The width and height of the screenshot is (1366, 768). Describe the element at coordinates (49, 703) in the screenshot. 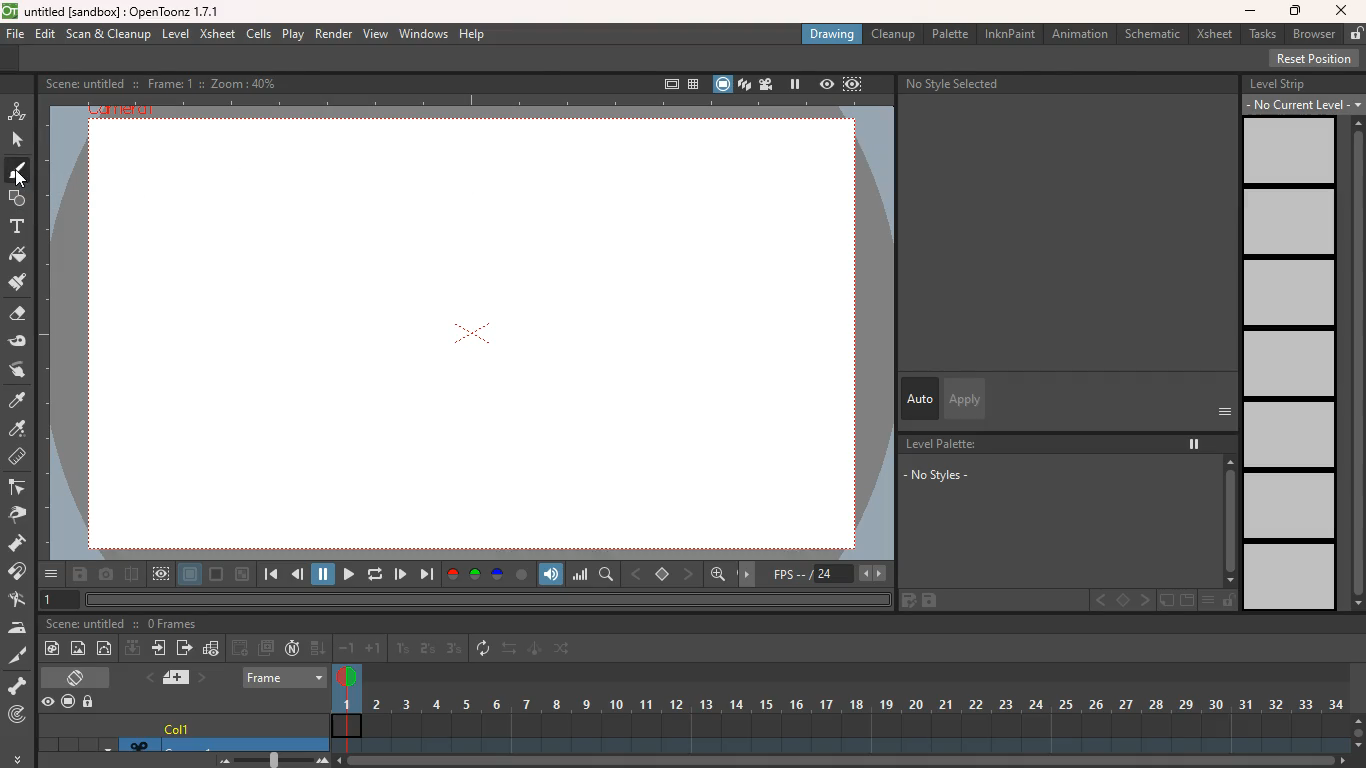

I see `eye` at that location.